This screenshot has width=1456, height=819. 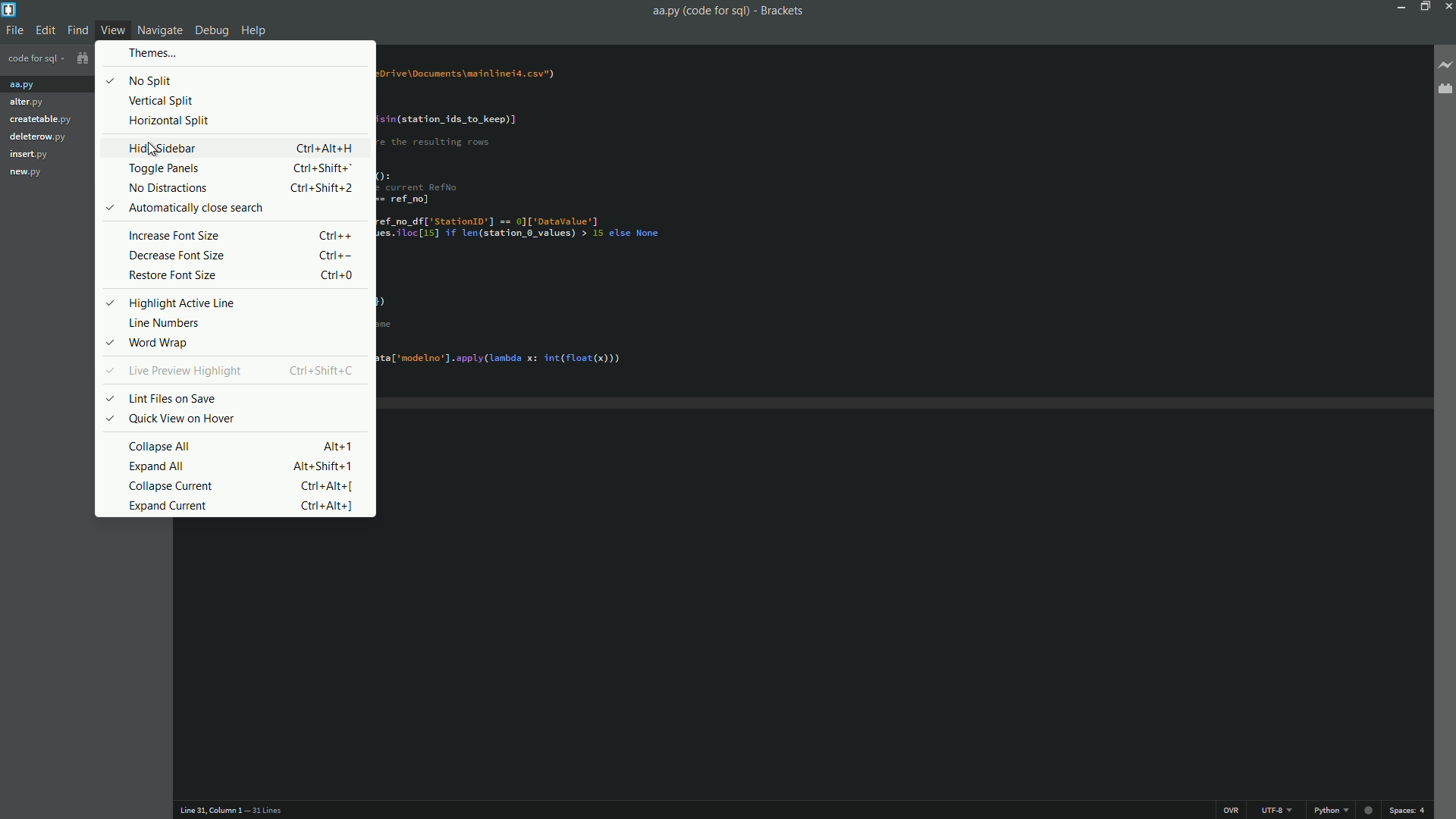 What do you see at coordinates (172, 276) in the screenshot?
I see `restore font size button` at bounding box center [172, 276].